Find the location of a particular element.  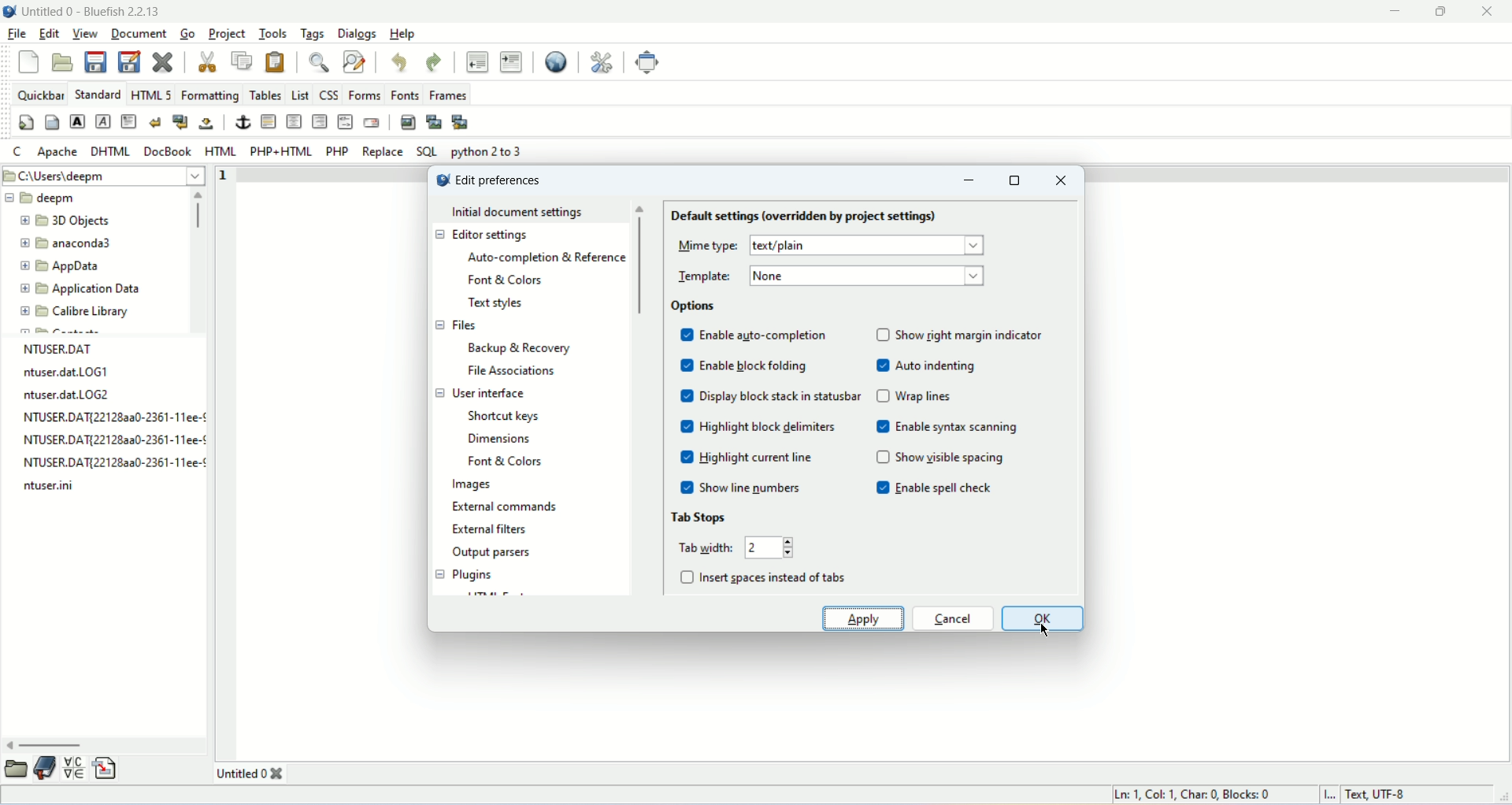

auto completion and reference is located at coordinates (549, 259).